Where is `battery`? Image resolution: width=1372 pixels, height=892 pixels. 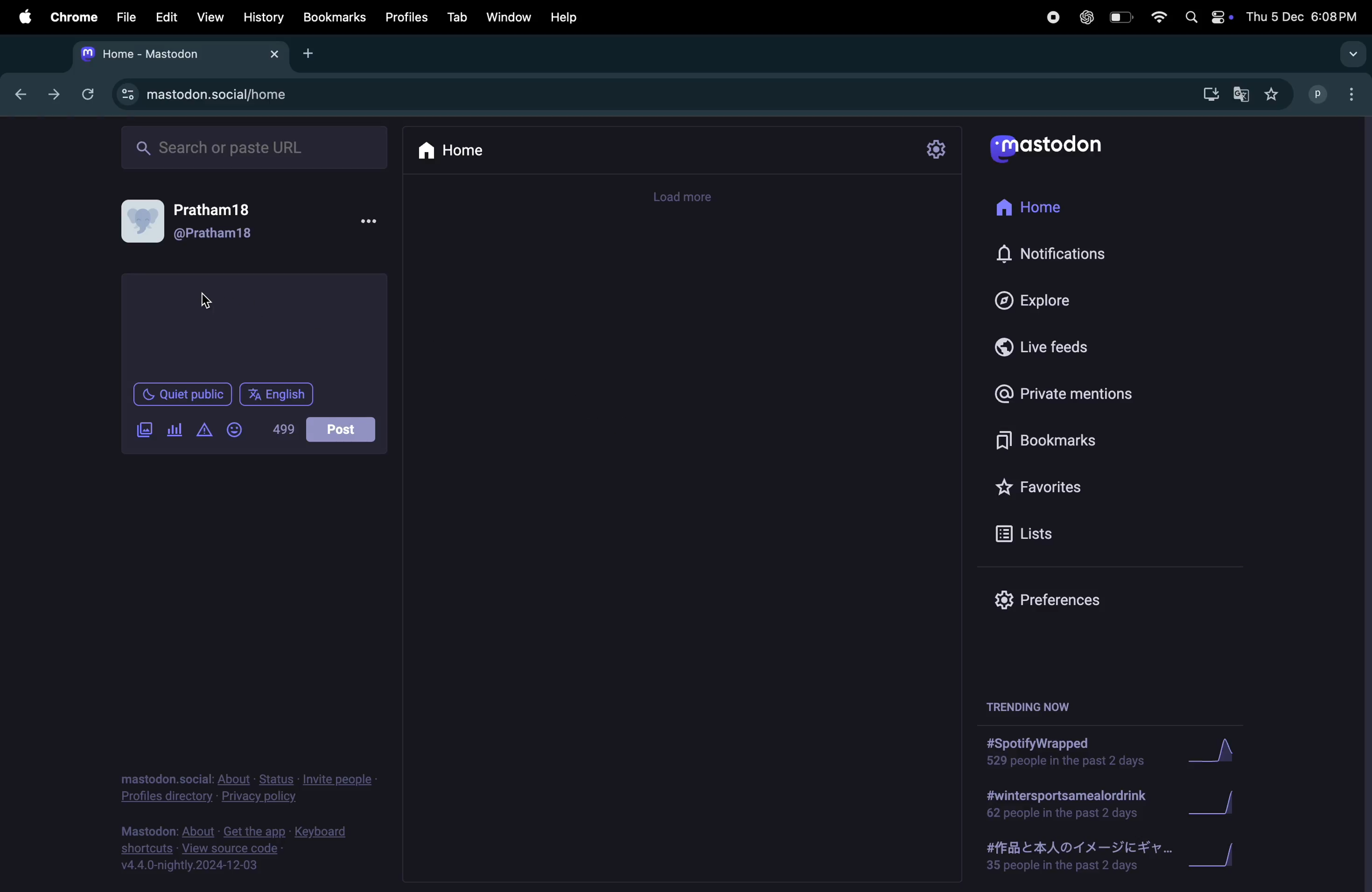
battery is located at coordinates (1121, 18).